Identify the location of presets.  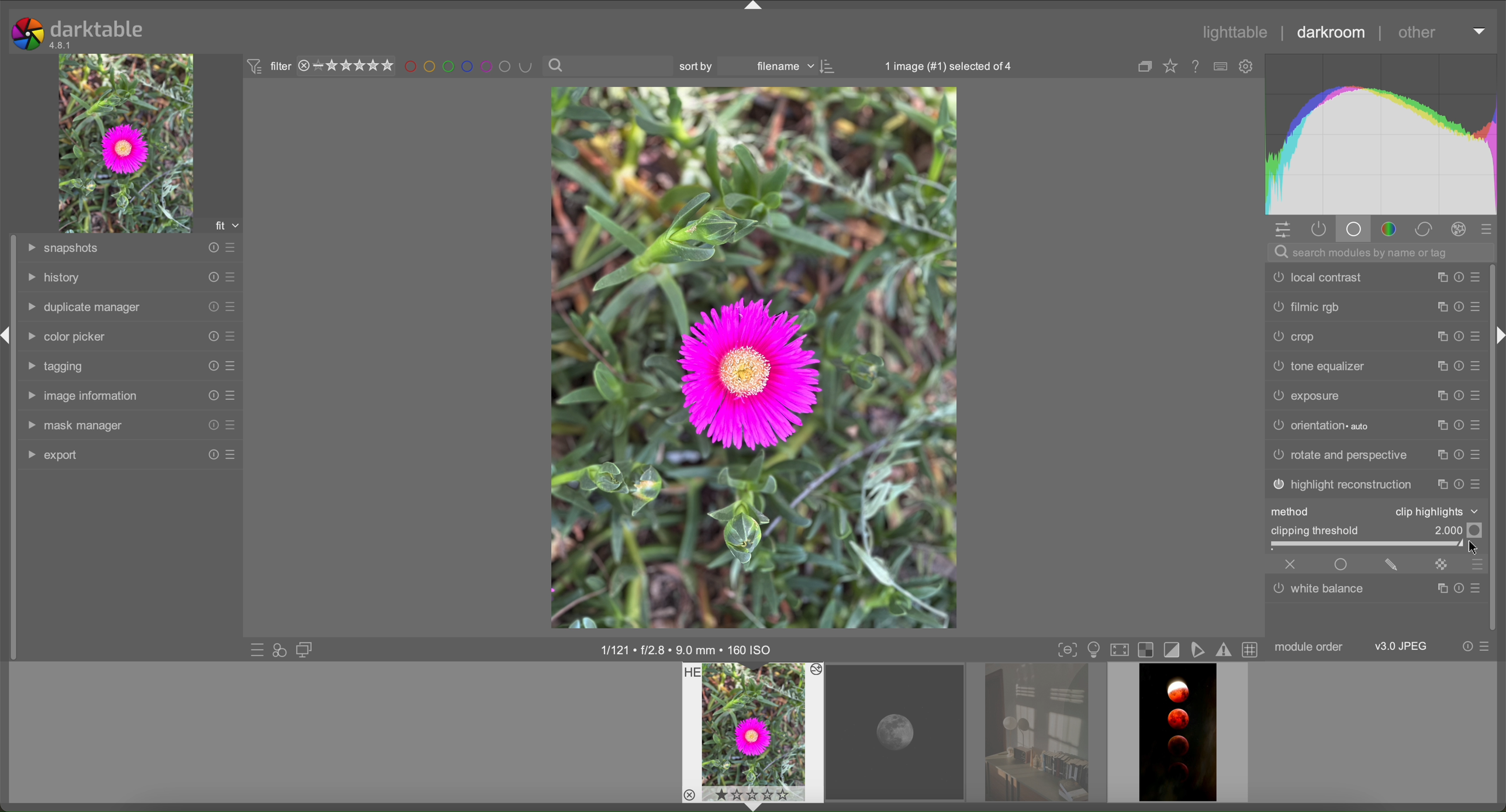
(1477, 397).